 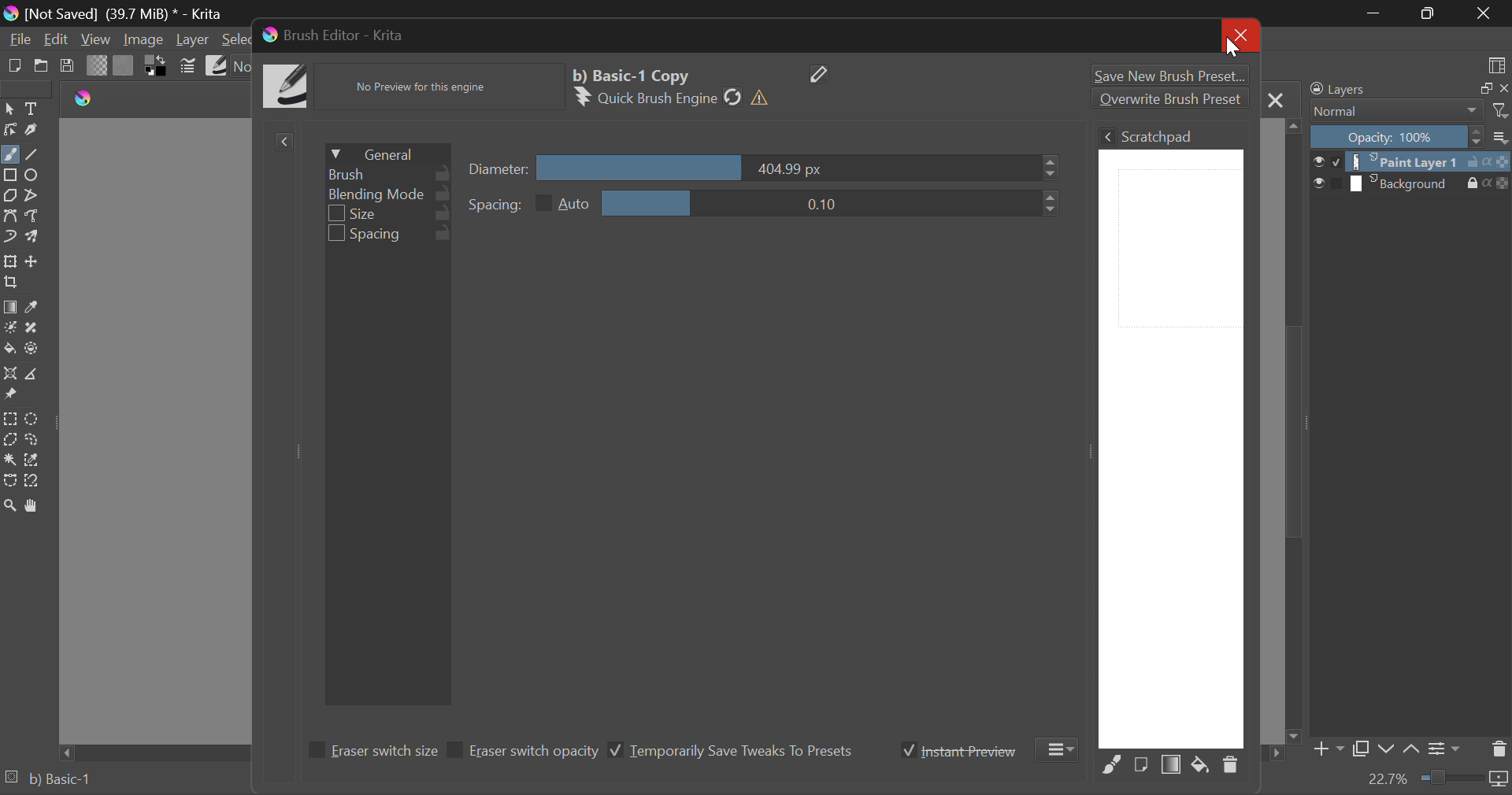 What do you see at coordinates (57, 39) in the screenshot?
I see `Edit` at bounding box center [57, 39].